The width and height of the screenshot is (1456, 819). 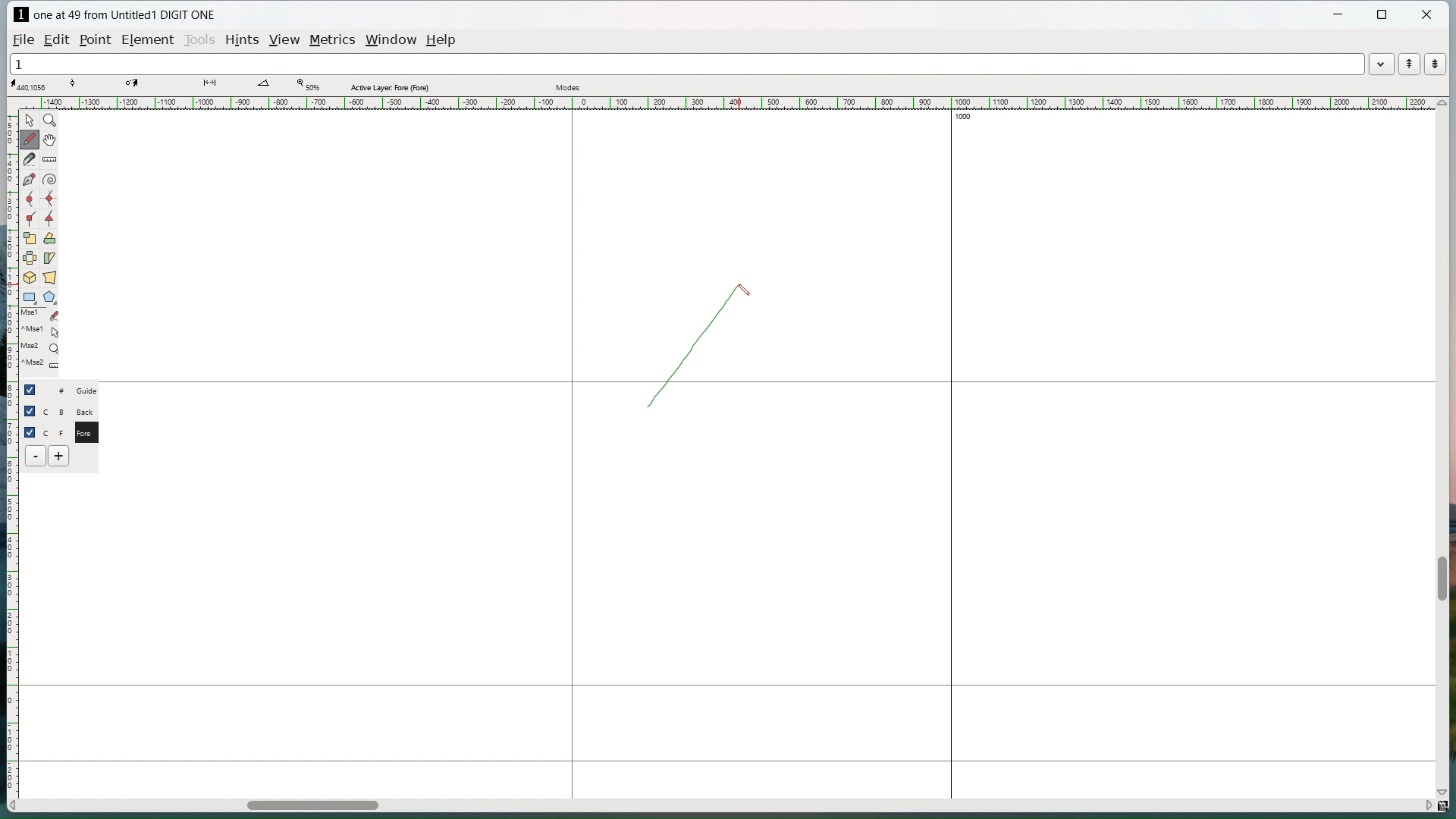 I want to click on sketch draw, so click(x=682, y=351).